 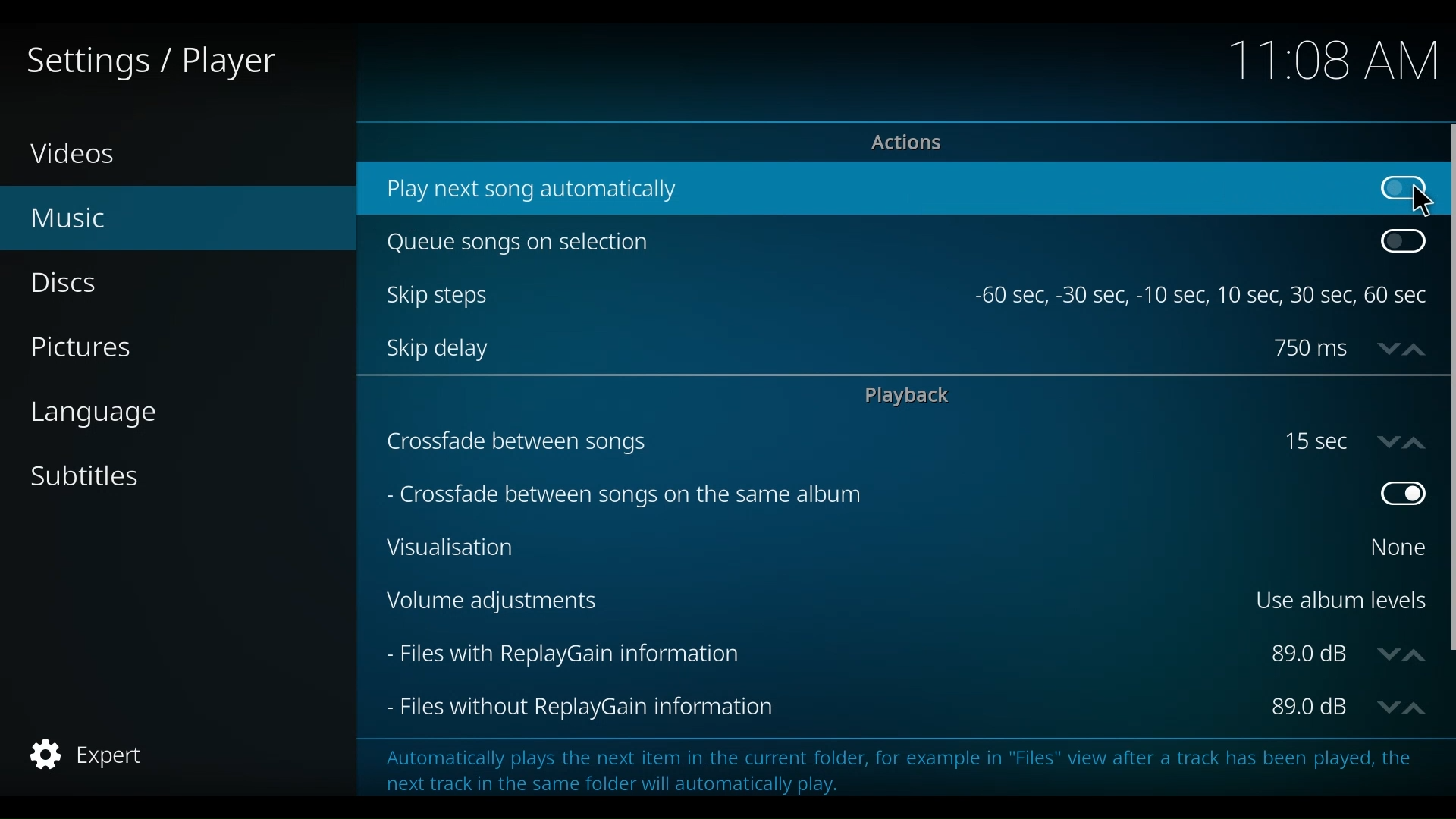 What do you see at coordinates (1398, 189) in the screenshot?
I see `Toggle on/off play next song automtically` at bounding box center [1398, 189].